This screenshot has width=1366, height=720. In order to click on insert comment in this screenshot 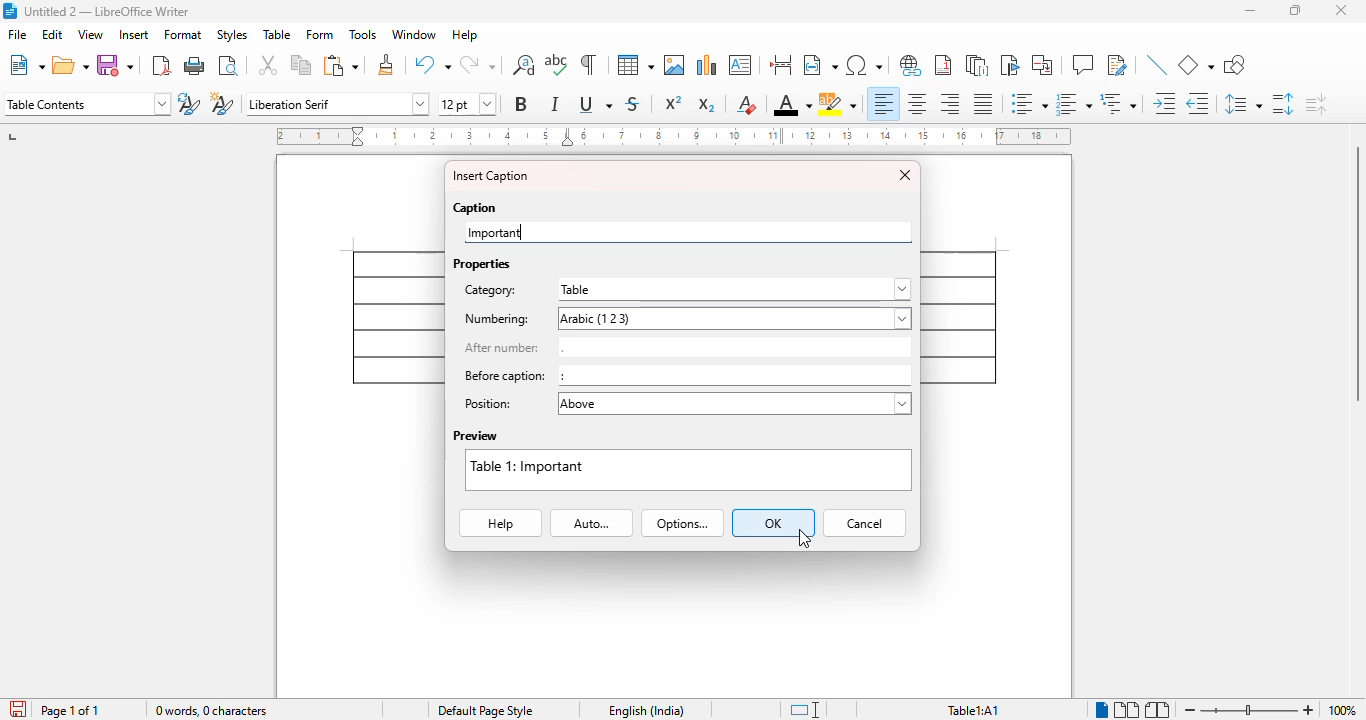, I will do `click(1083, 64)`.